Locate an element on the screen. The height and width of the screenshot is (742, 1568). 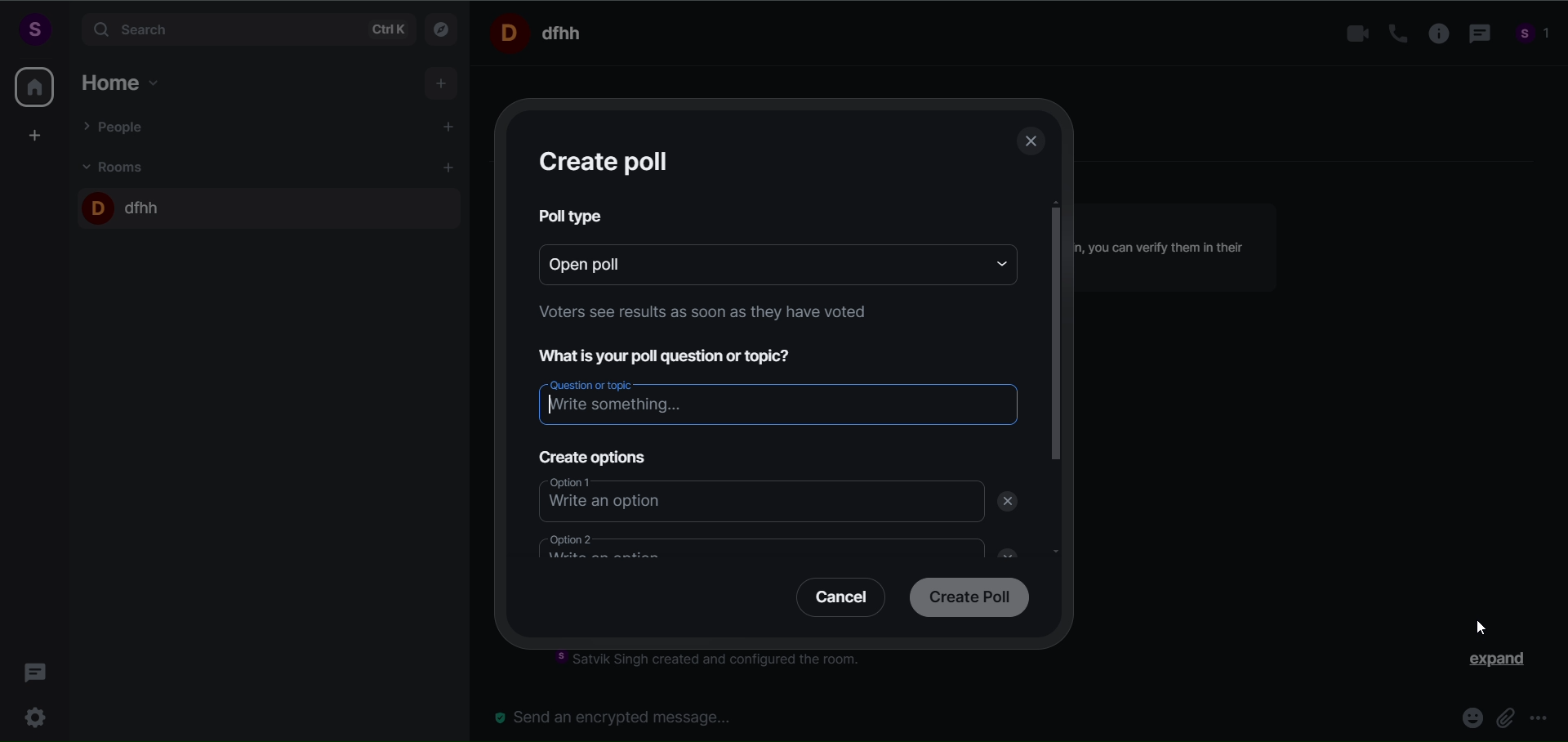
threads  is located at coordinates (36, 668).